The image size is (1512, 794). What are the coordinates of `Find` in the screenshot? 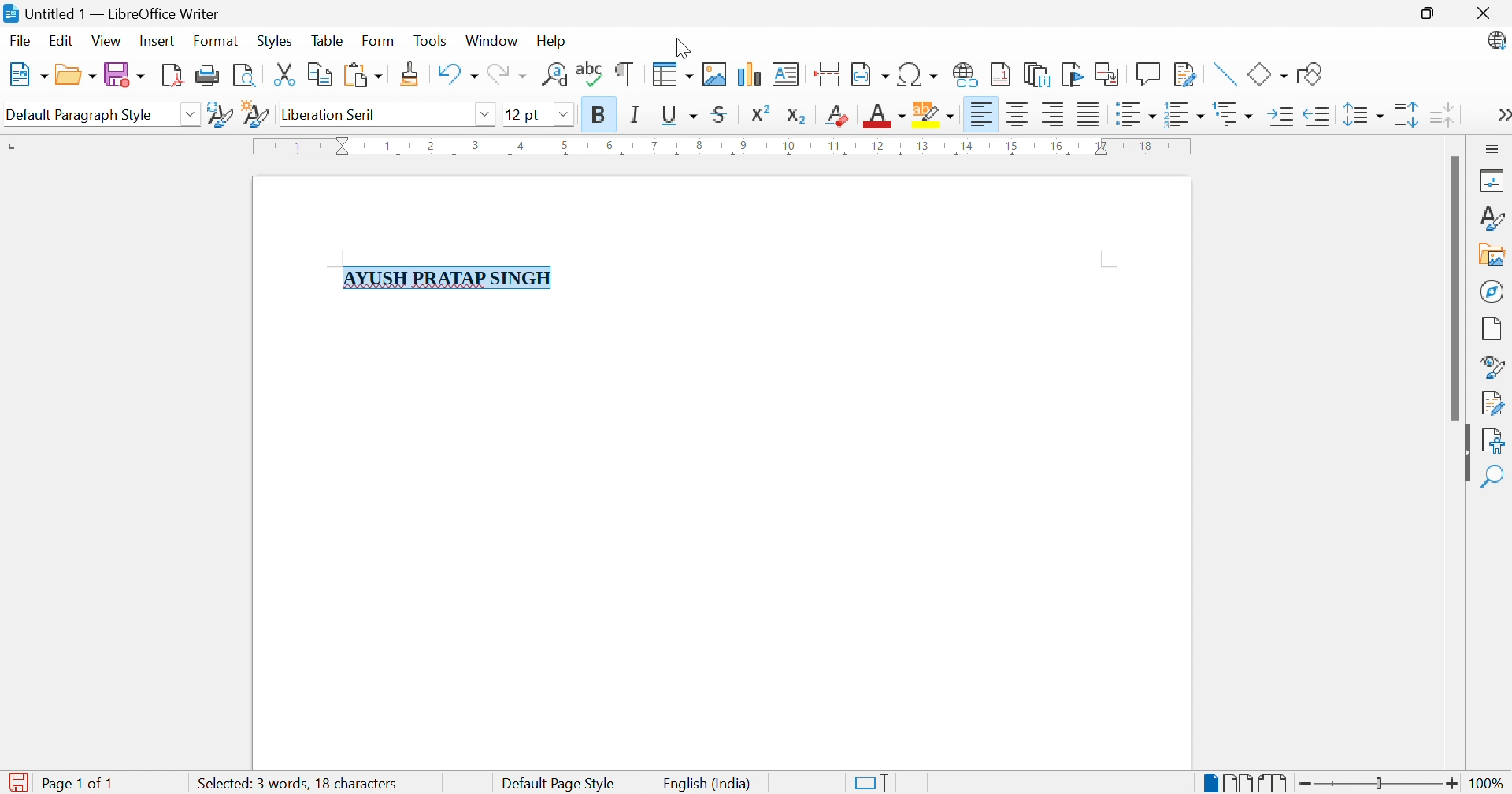 It's located at (1496, 477).